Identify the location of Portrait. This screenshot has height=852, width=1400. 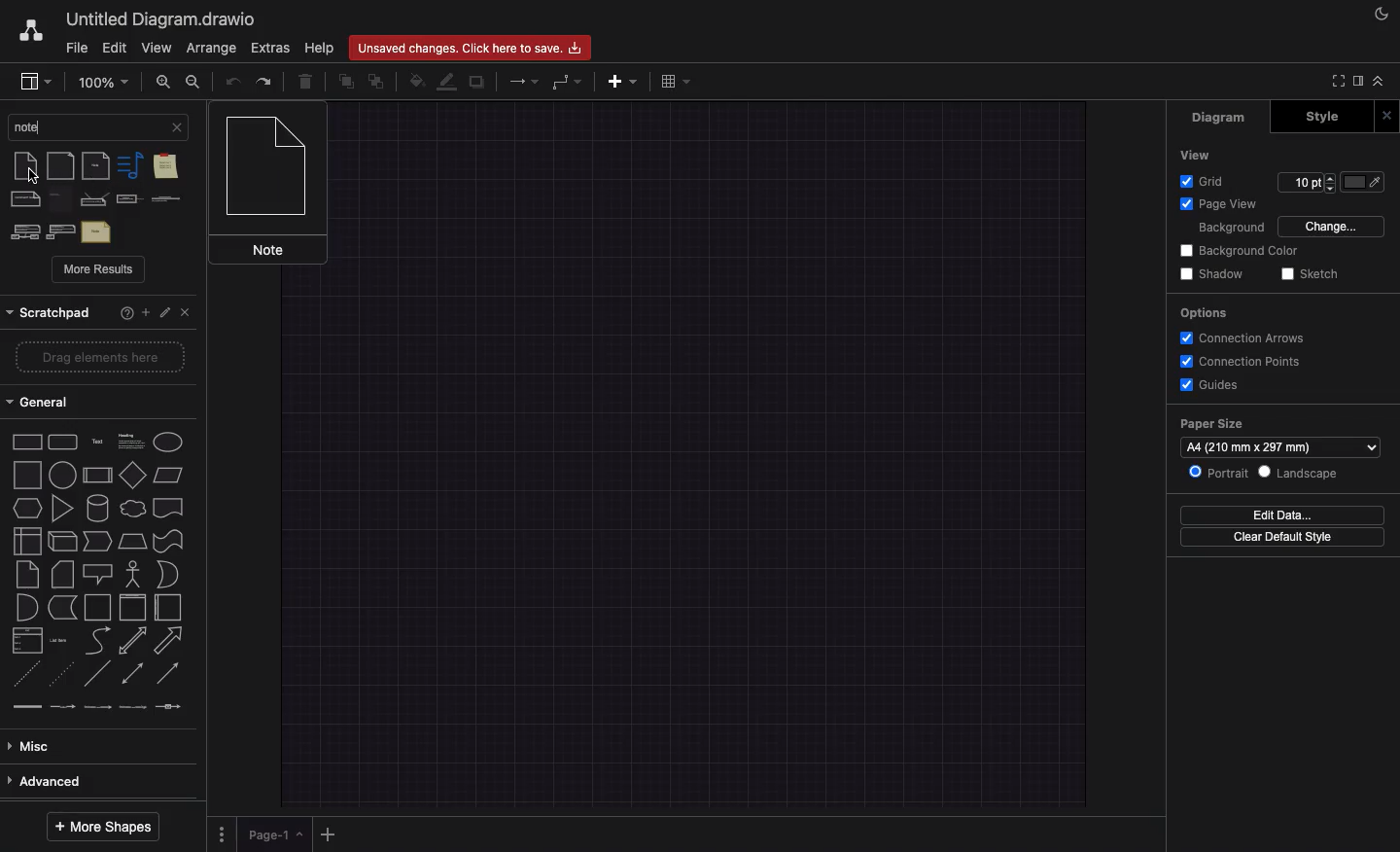
(1216, 473).